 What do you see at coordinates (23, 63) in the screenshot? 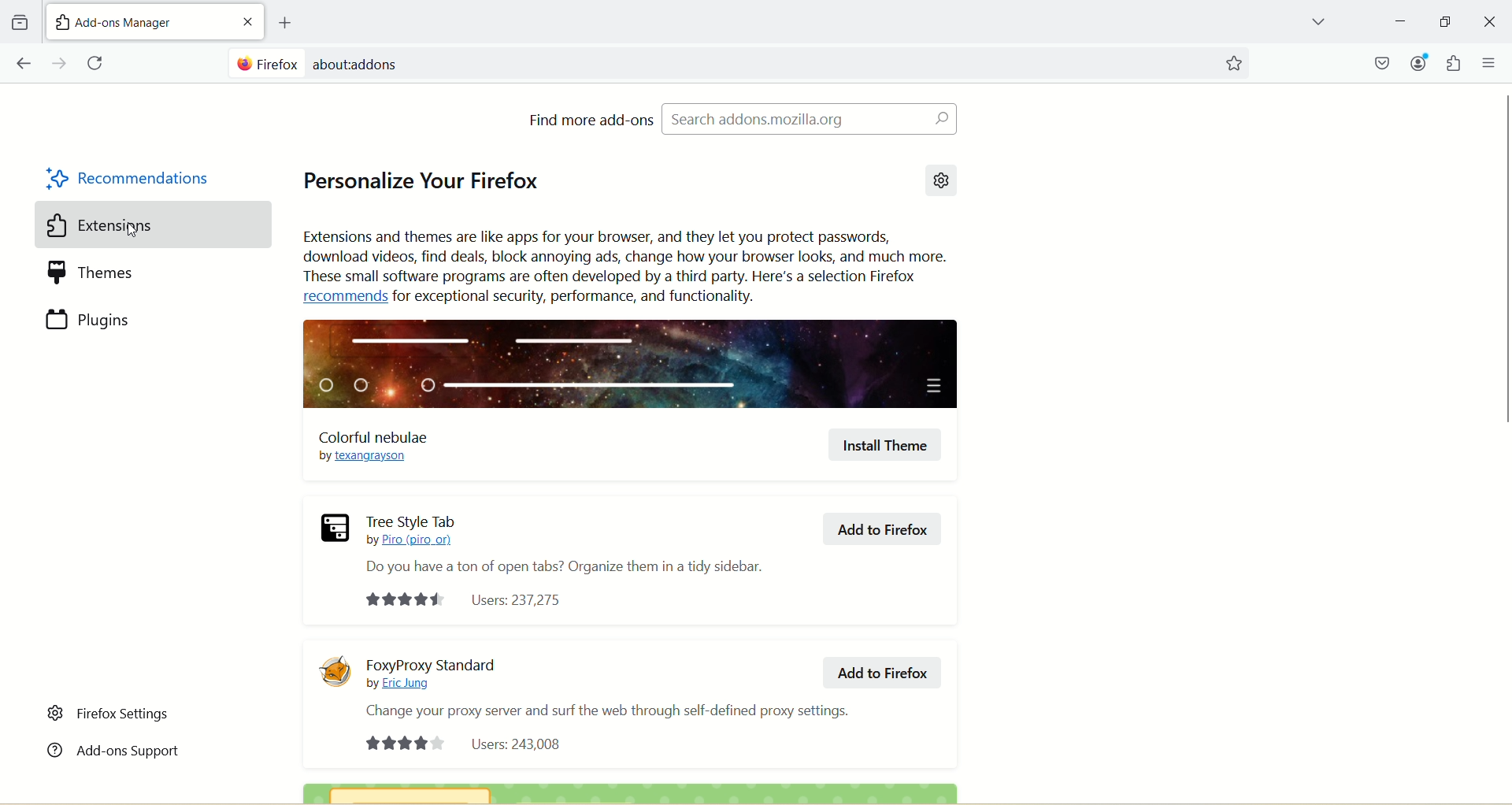
I see `Move backward` at bounding box center [23, 63].